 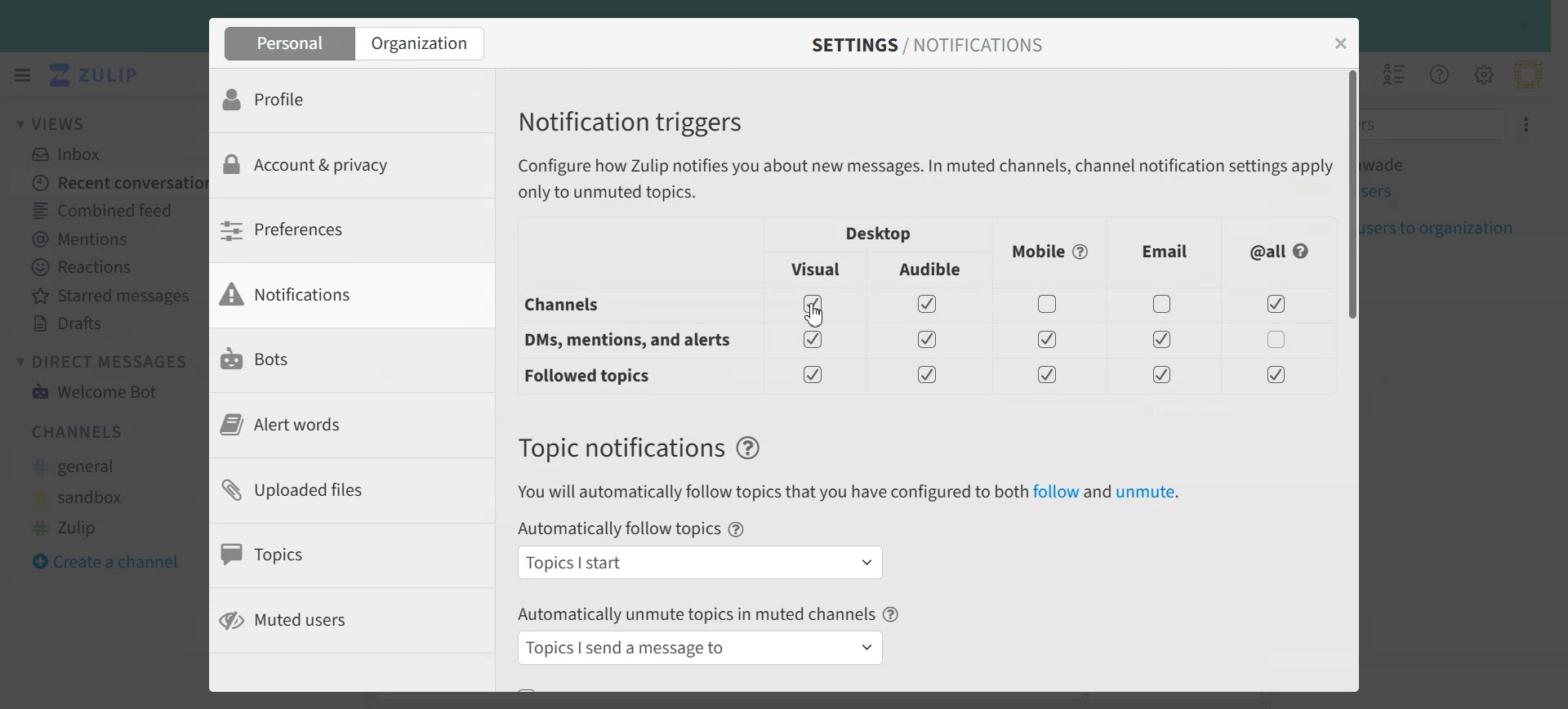 I want to click on Cursor, so click(x=817, y=315).